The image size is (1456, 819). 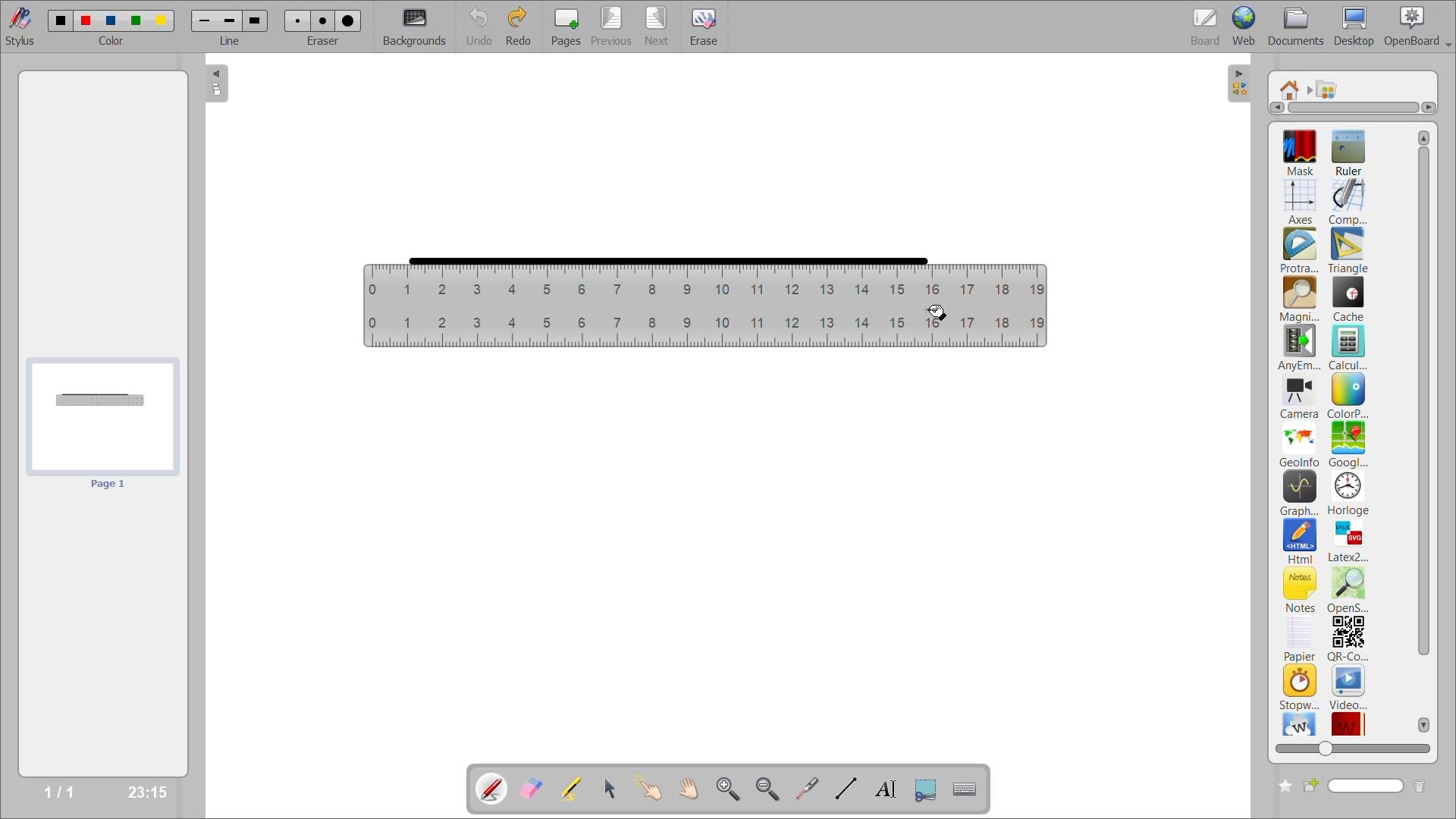 What do you see at coordinates (1246, 25) in the screenshot?
I see `web` at bounding box center [1246, 25].